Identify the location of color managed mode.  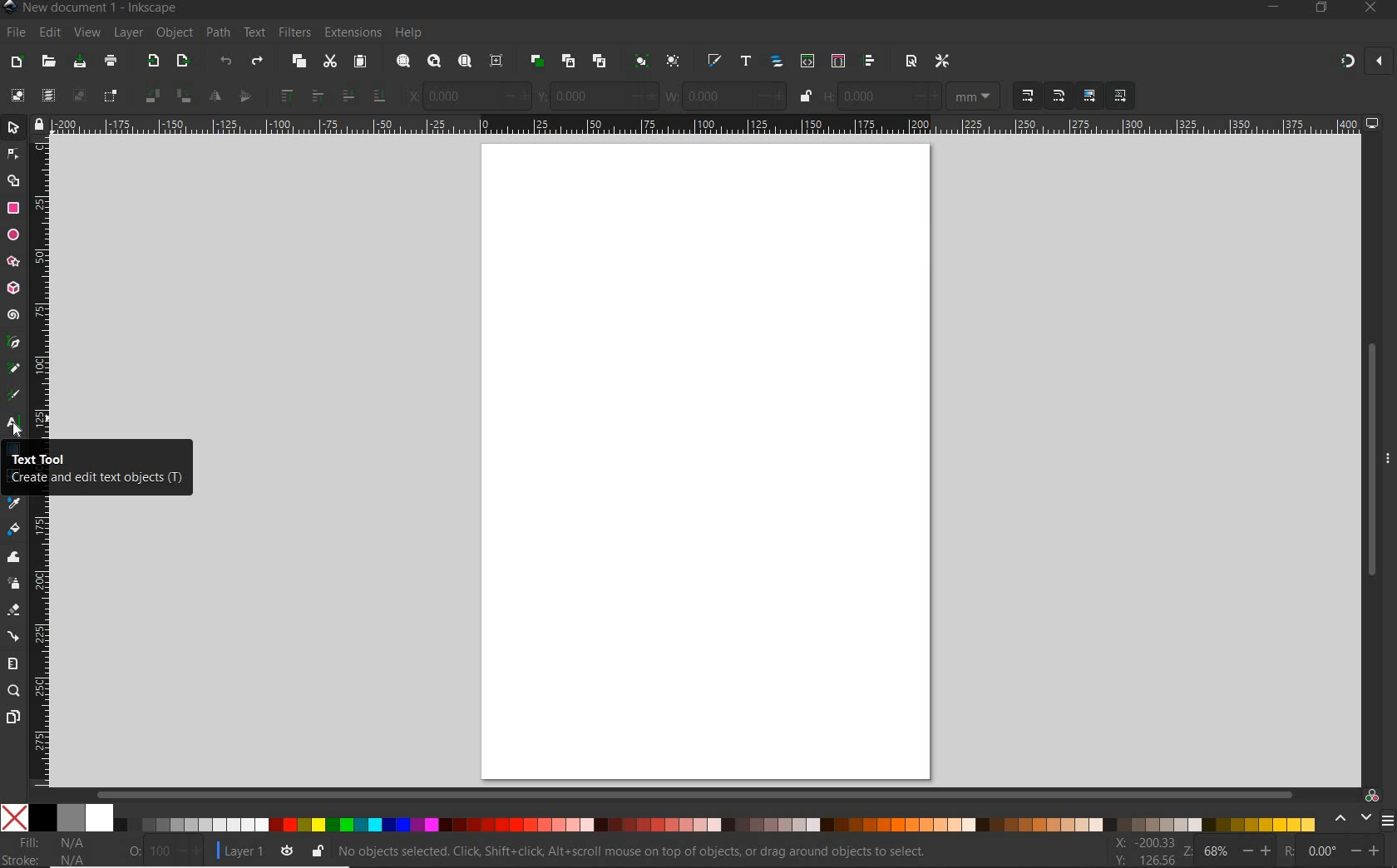
(1370, 795).